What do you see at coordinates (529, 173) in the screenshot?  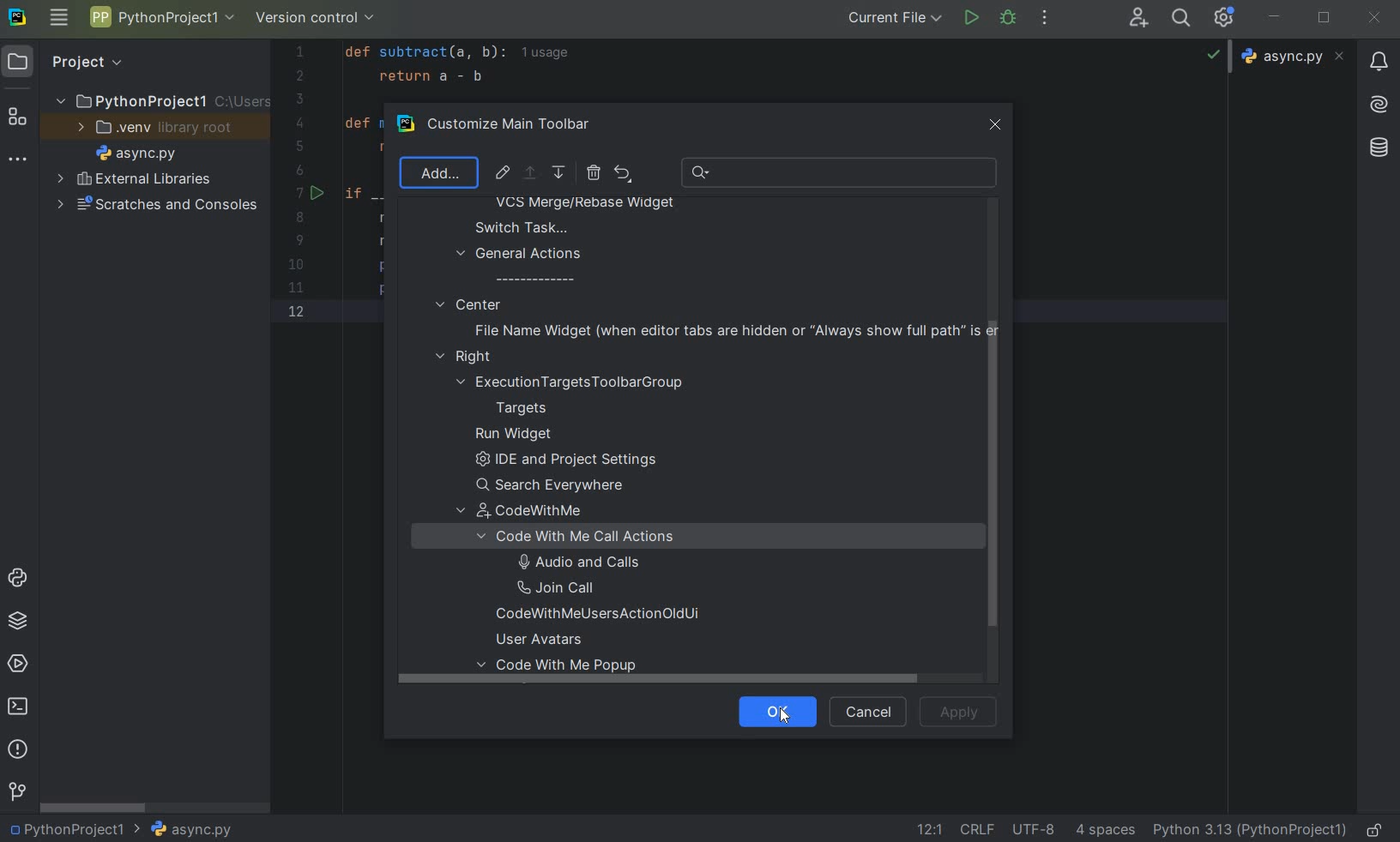 I see `MOVE UP` at bounding box center [529, 173].